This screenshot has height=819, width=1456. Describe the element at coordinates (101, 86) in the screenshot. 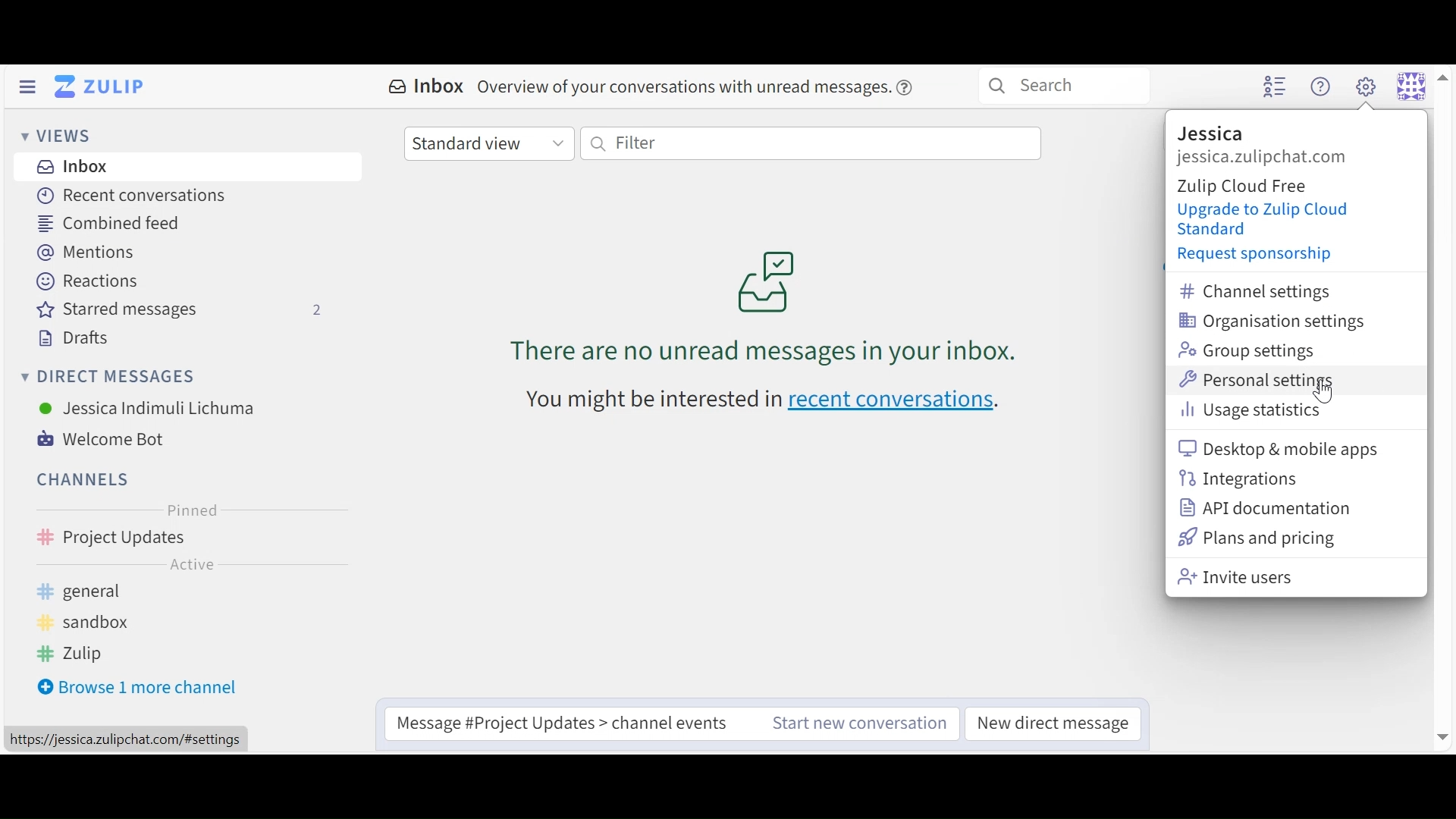

I see `Go to Home Menu` at that location.